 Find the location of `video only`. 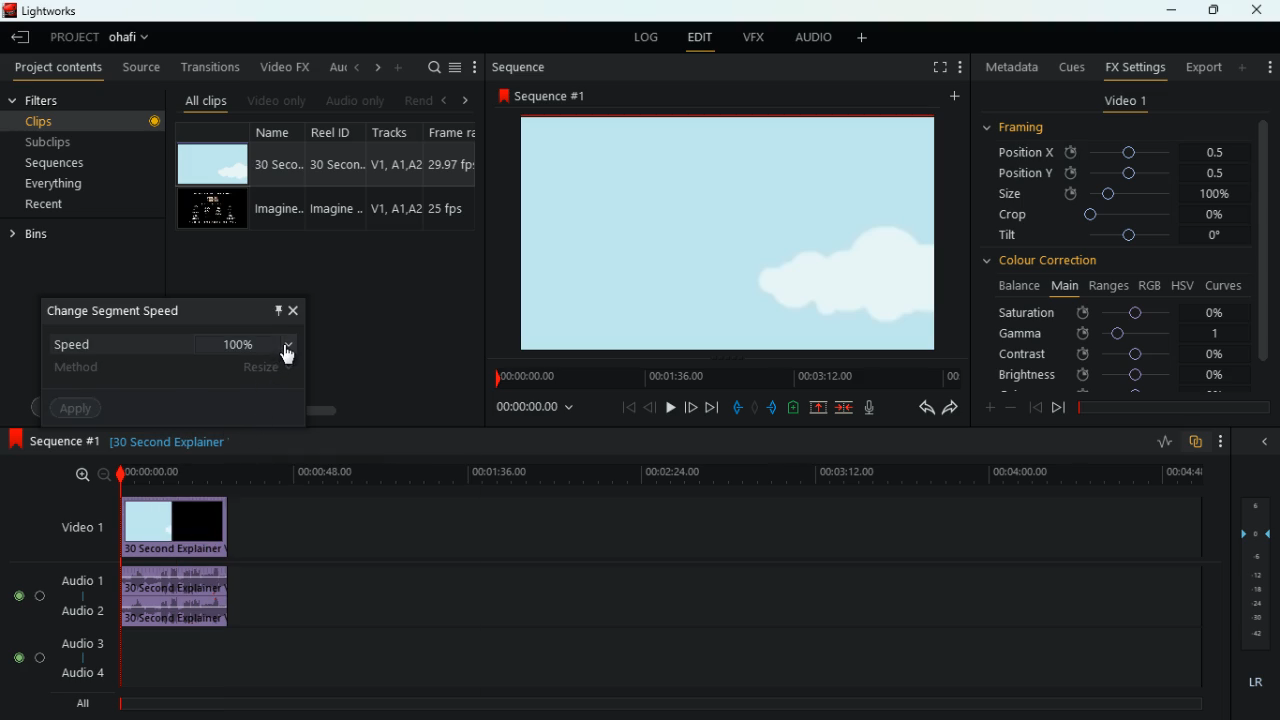

video only is located at coordinates (275, 99).